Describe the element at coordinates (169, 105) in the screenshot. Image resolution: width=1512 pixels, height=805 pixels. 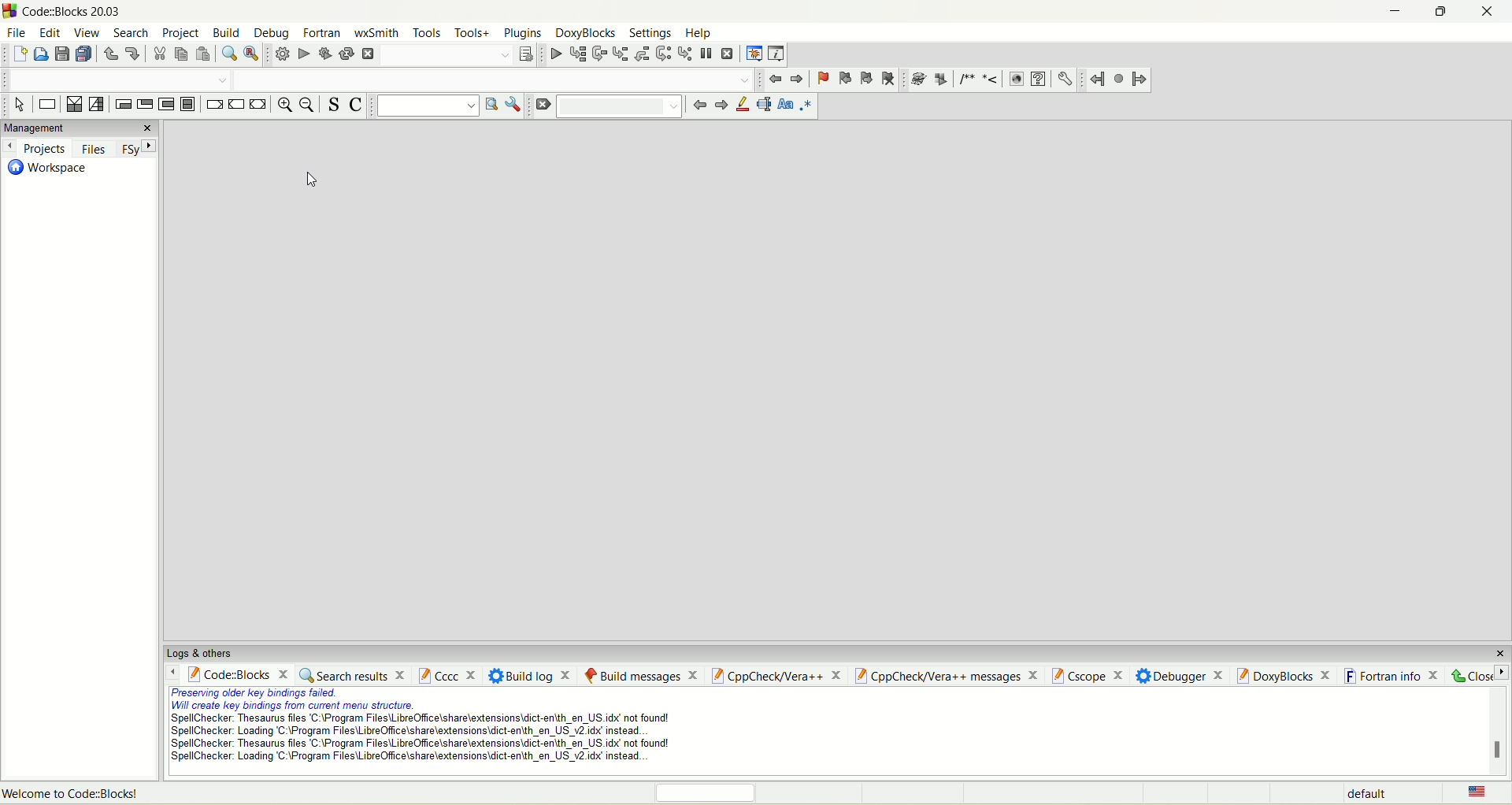
I see `counting loop` at that location.